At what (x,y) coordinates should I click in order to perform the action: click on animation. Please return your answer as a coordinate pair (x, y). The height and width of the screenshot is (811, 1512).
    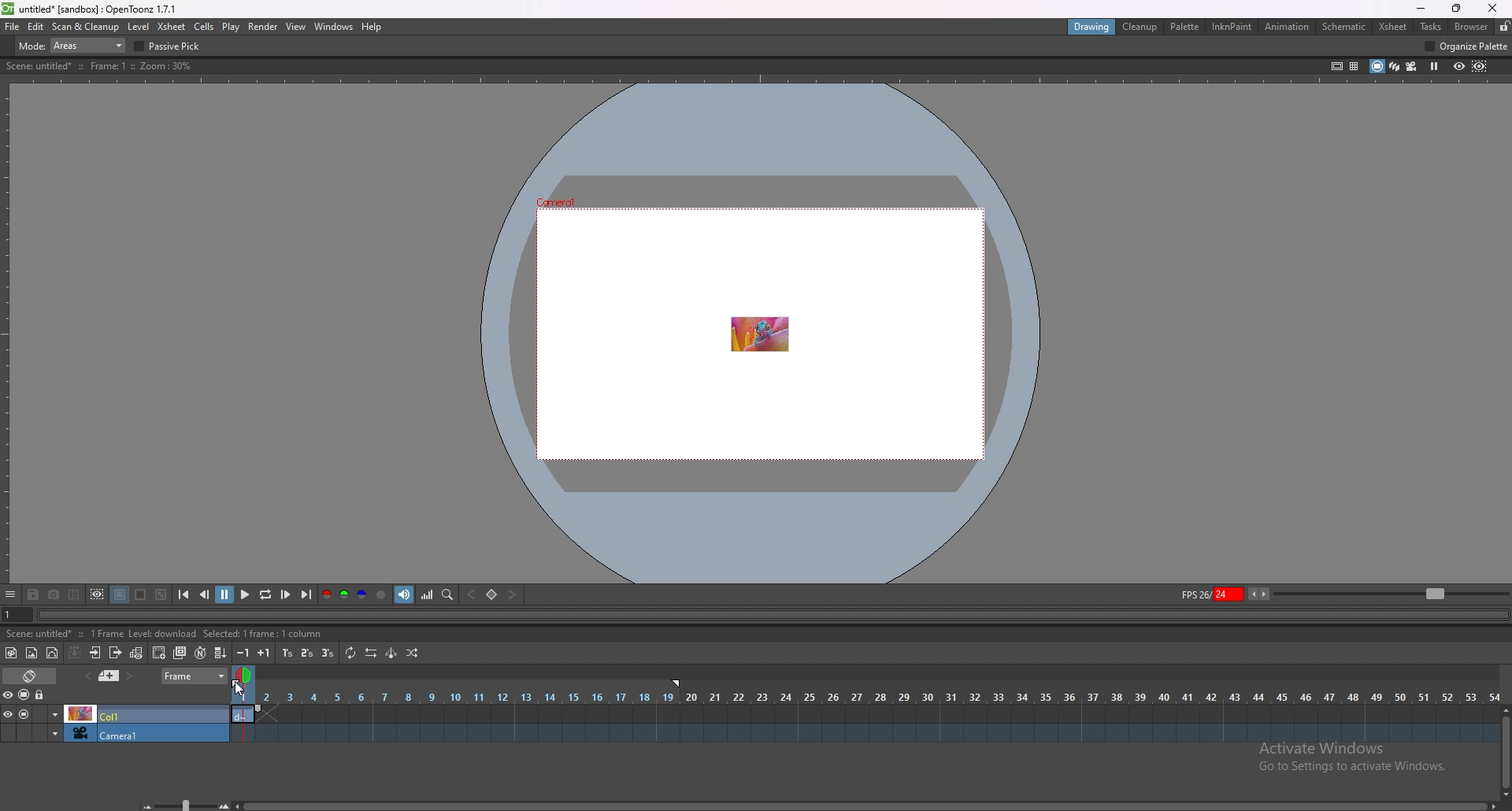
    Looking at the image, I should click on (1287, 28).